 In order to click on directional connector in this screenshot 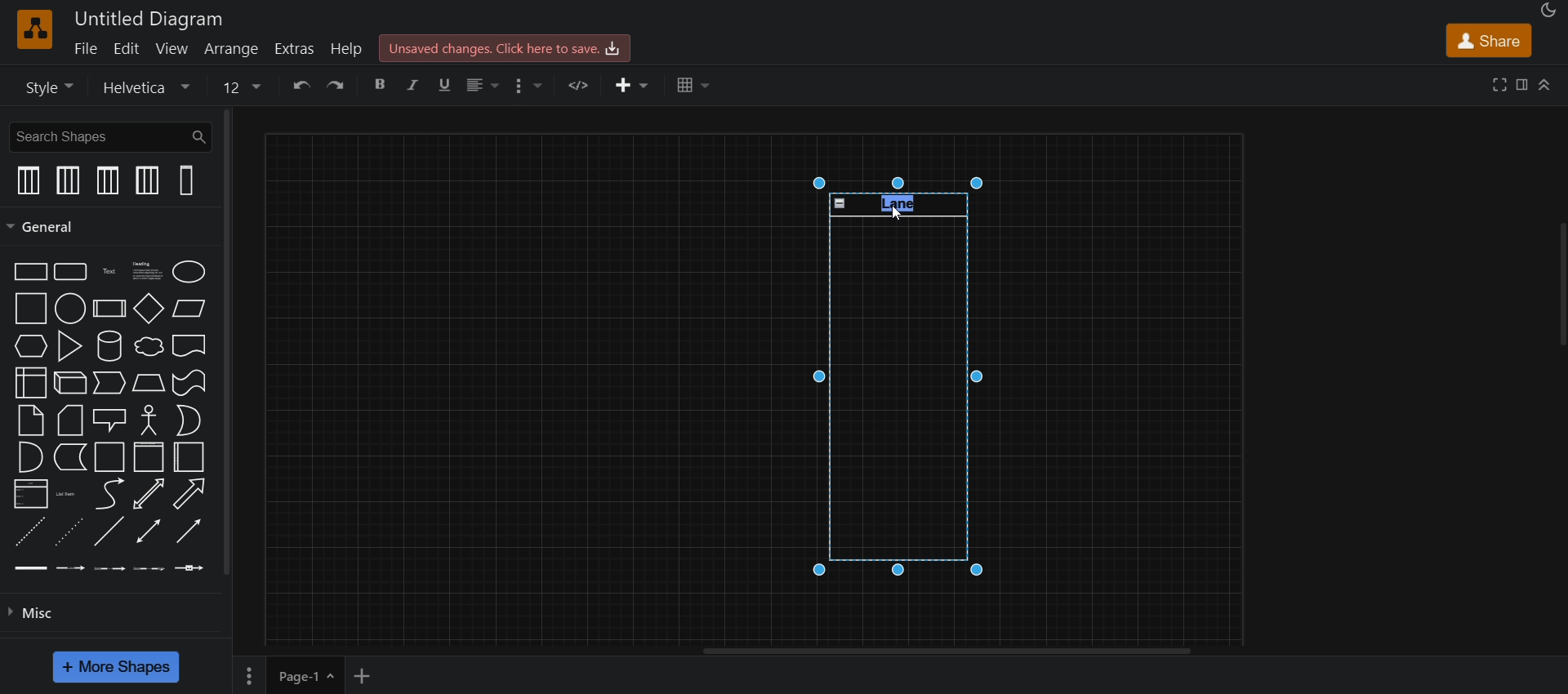, I will do `click(192, 535)`.